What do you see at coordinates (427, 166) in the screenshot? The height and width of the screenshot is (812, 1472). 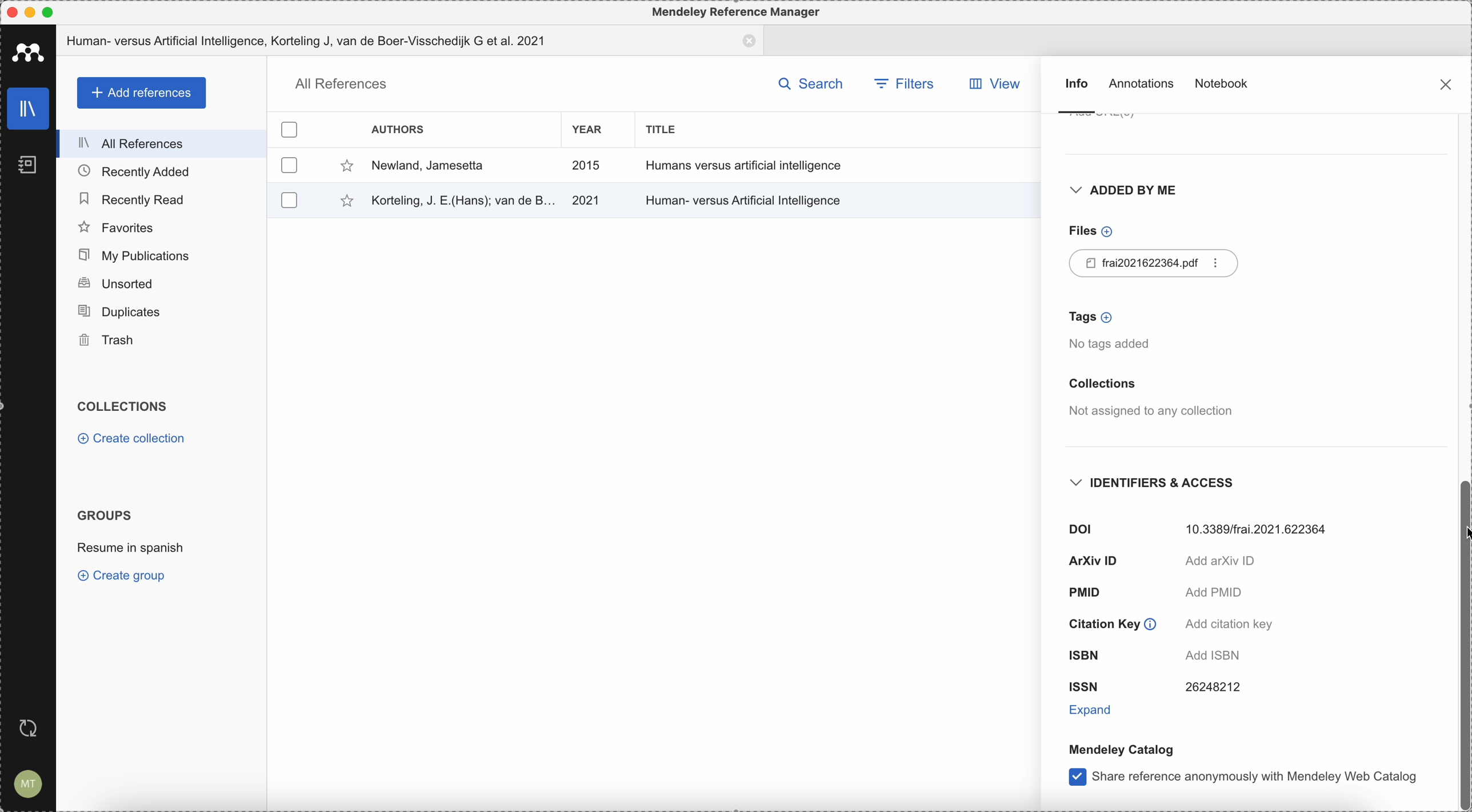 I see `Newlad, Jamsetta` at bounding box center [427, 166].